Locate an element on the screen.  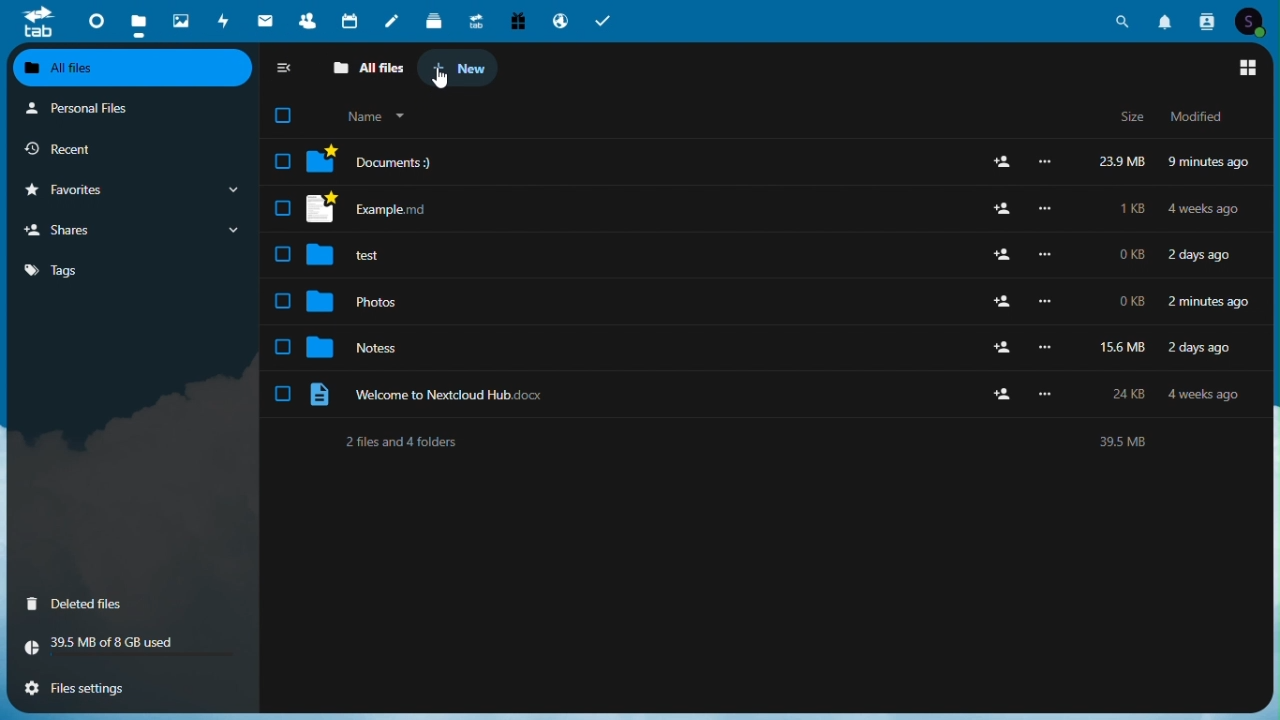
select is located at coordinates (281, 348).